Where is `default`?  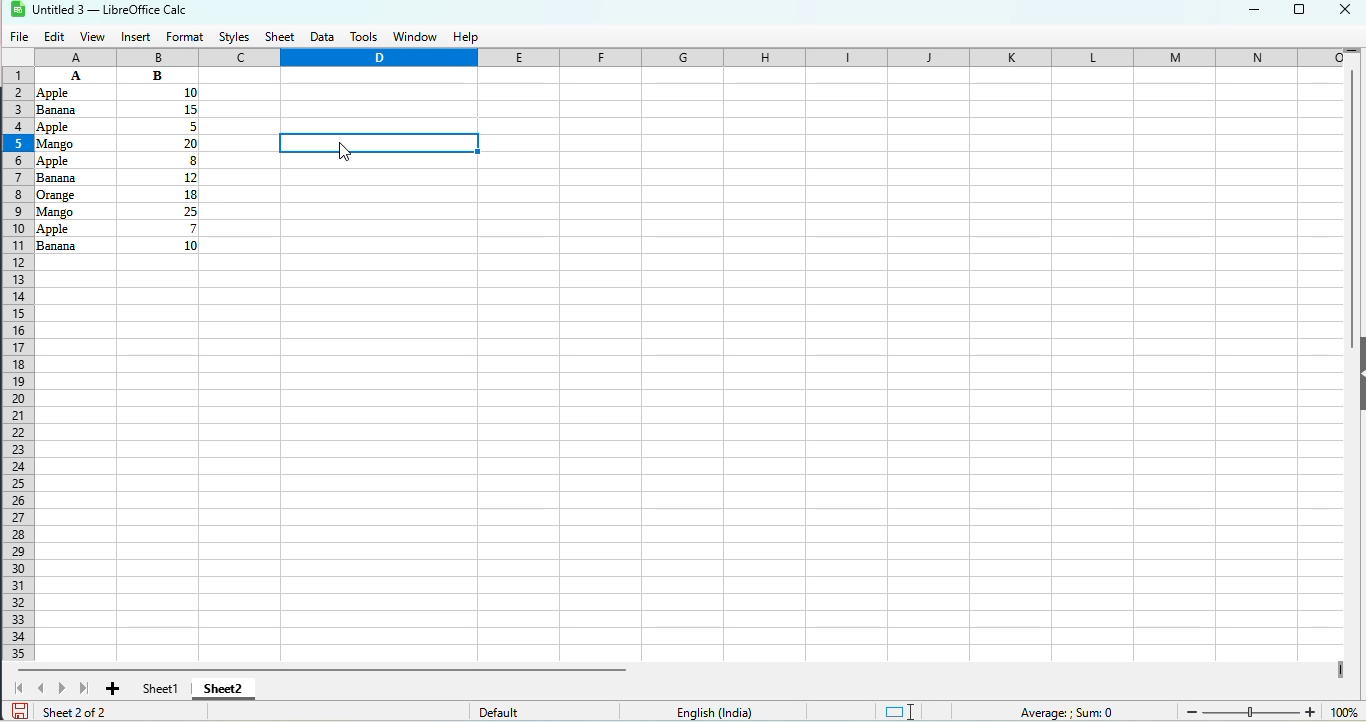
default is located at coordinates (499, 708).